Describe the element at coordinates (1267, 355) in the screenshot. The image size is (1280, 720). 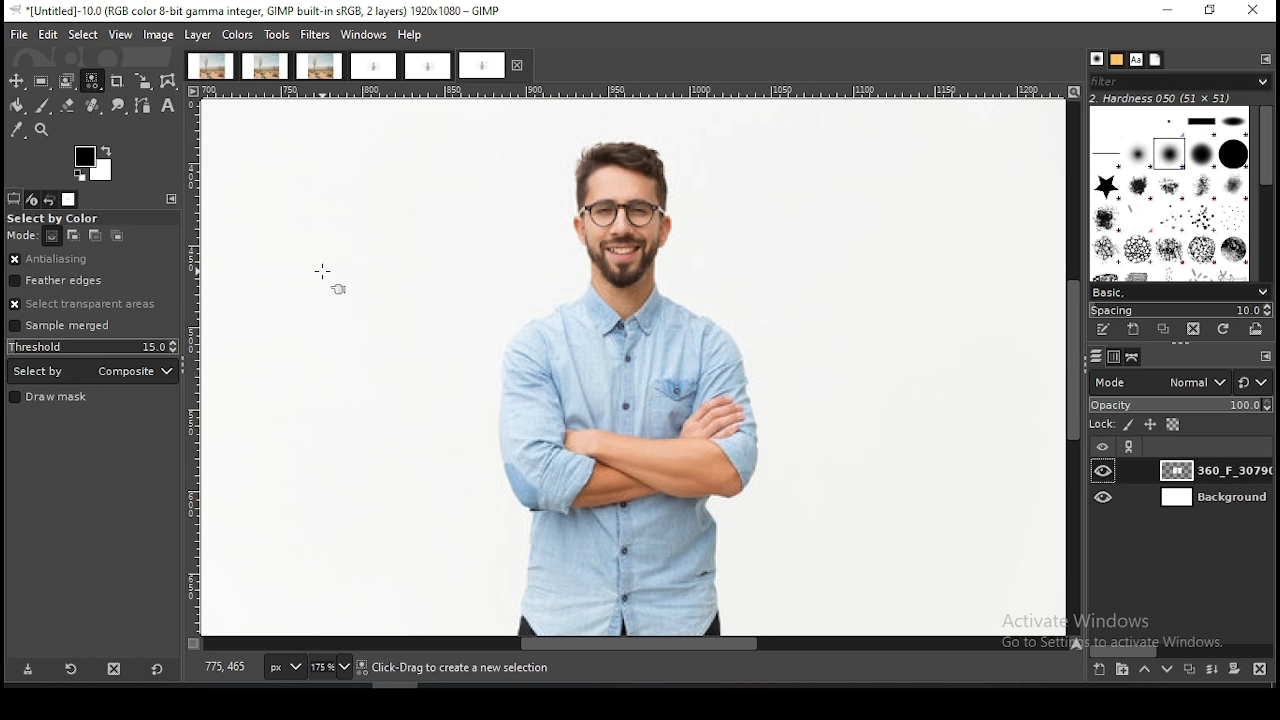
I see `configure this tab` at that location.